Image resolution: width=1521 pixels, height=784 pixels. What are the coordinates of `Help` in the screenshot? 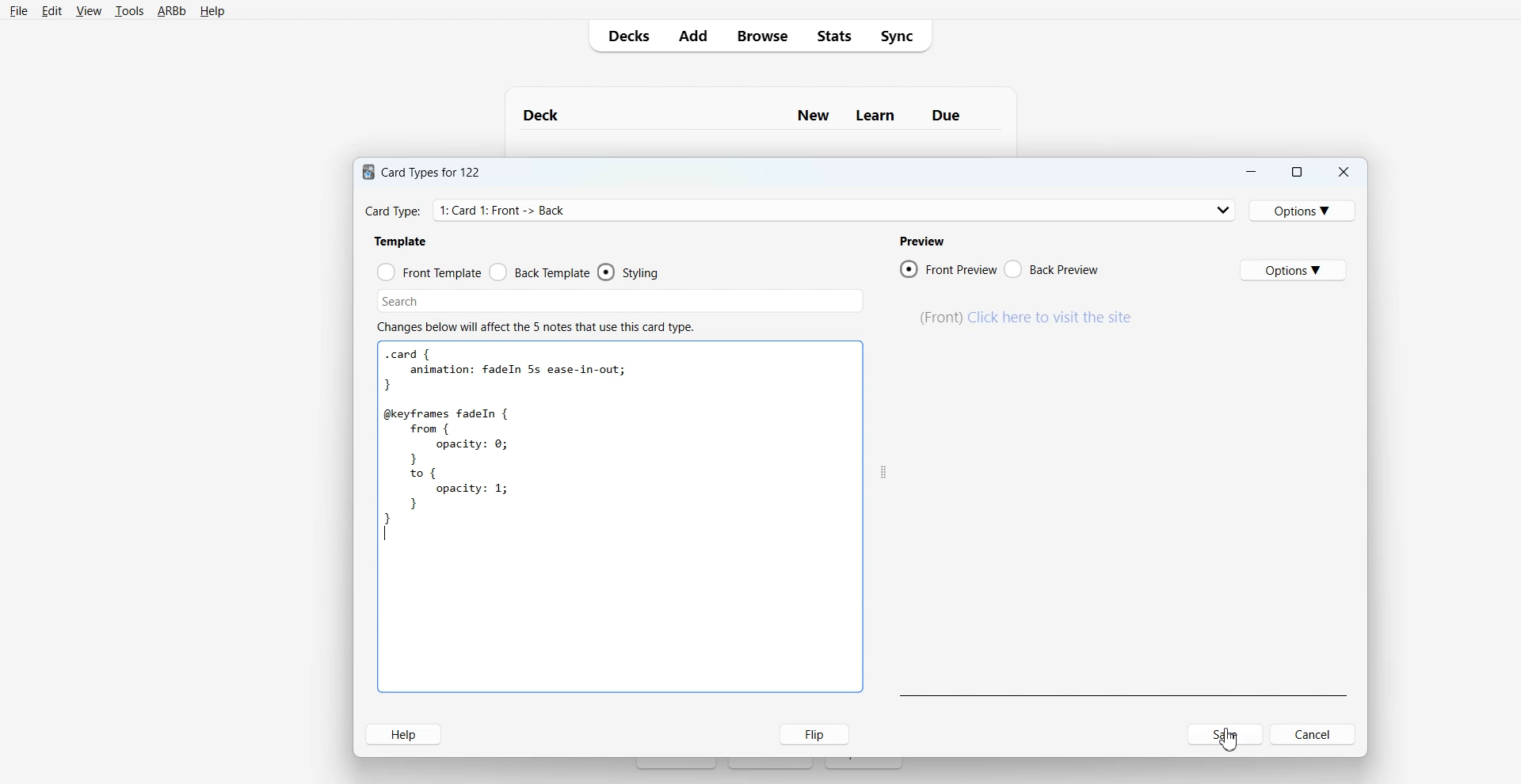 It's located at (212, 12).